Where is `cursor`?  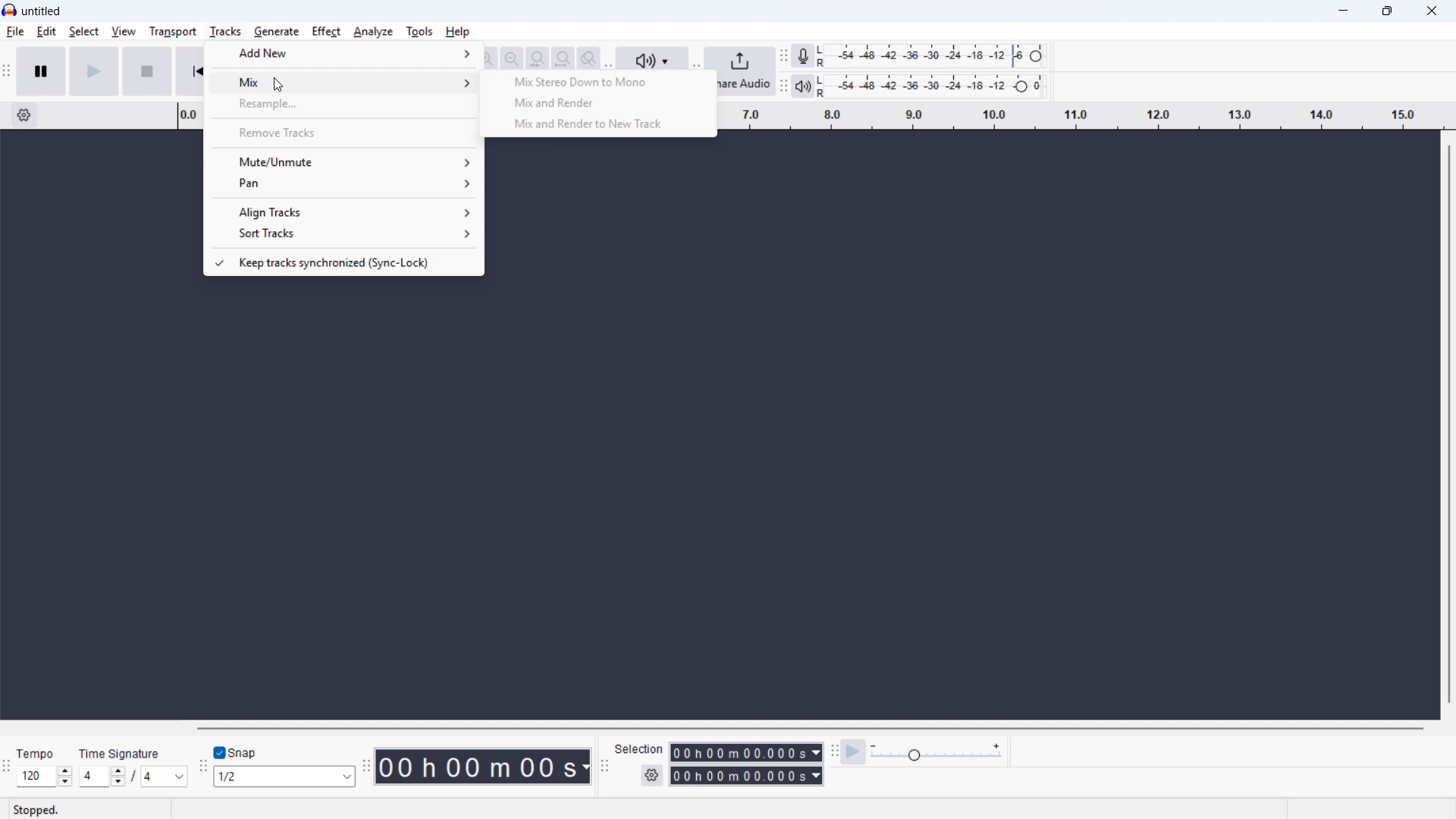 cursor is located at coordinates (278, 85).